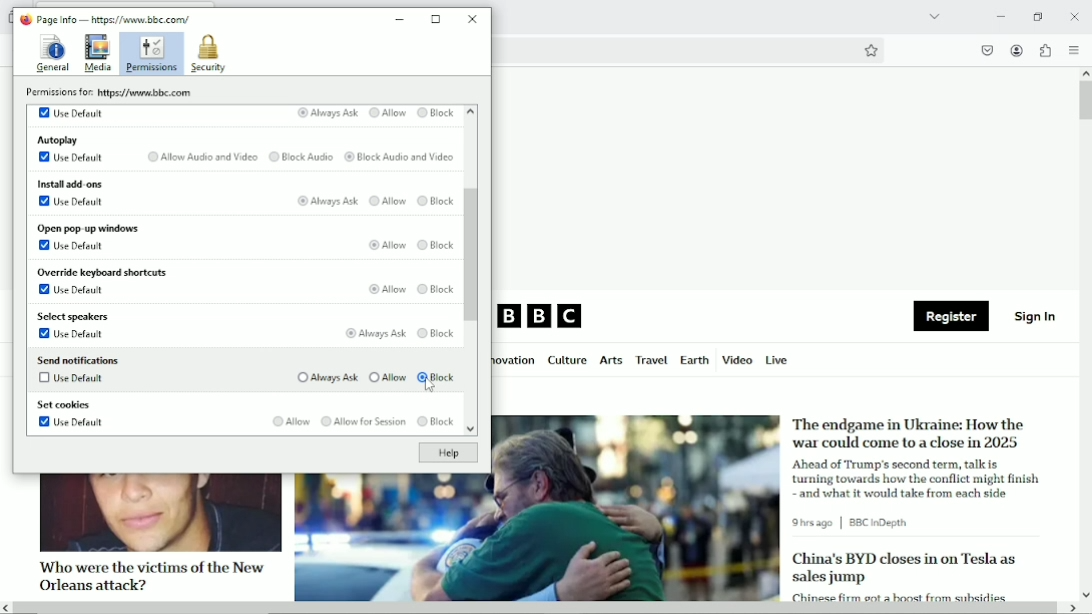 The height and width of the screenshot is (614, 1092). I want to click on logo, so click(24, 19).